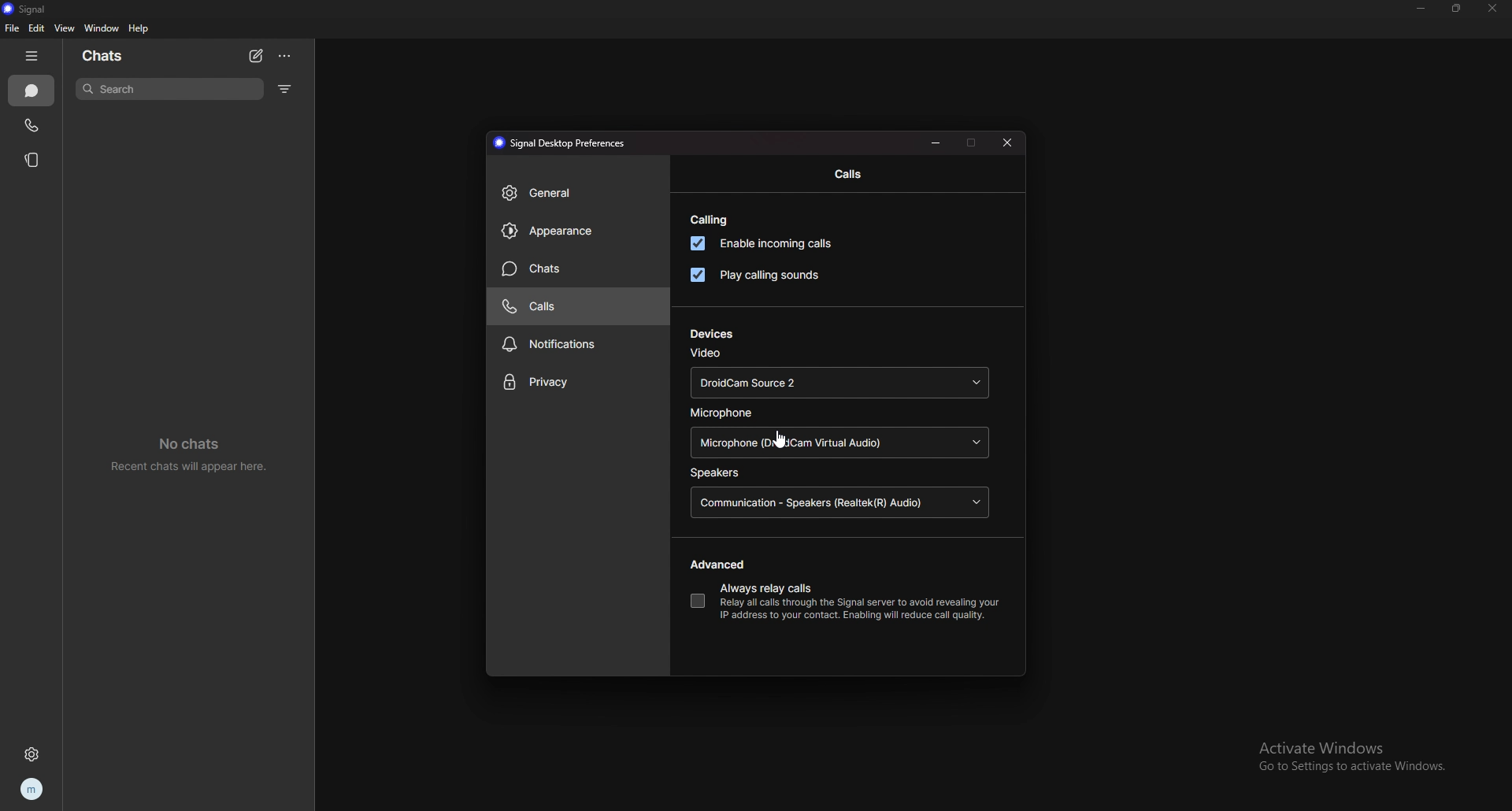  I want to click on devices, so click(712, 334).